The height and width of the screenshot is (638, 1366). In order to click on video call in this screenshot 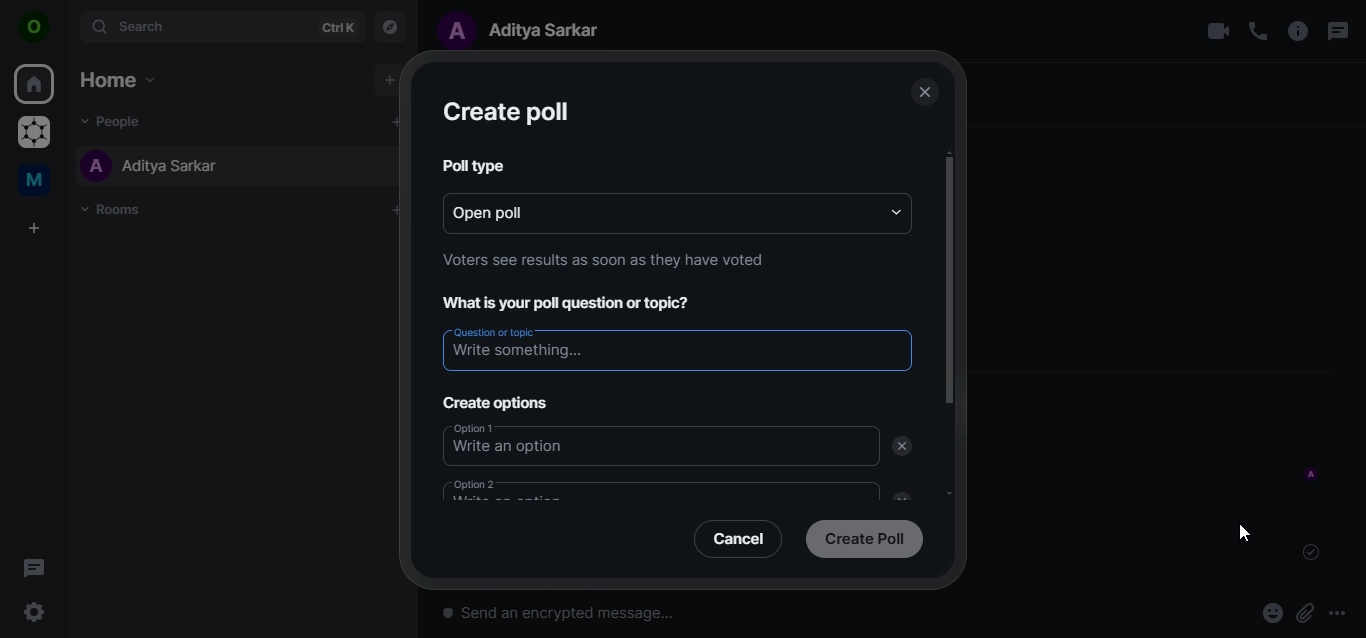, I will do `click(1217, 31)`.